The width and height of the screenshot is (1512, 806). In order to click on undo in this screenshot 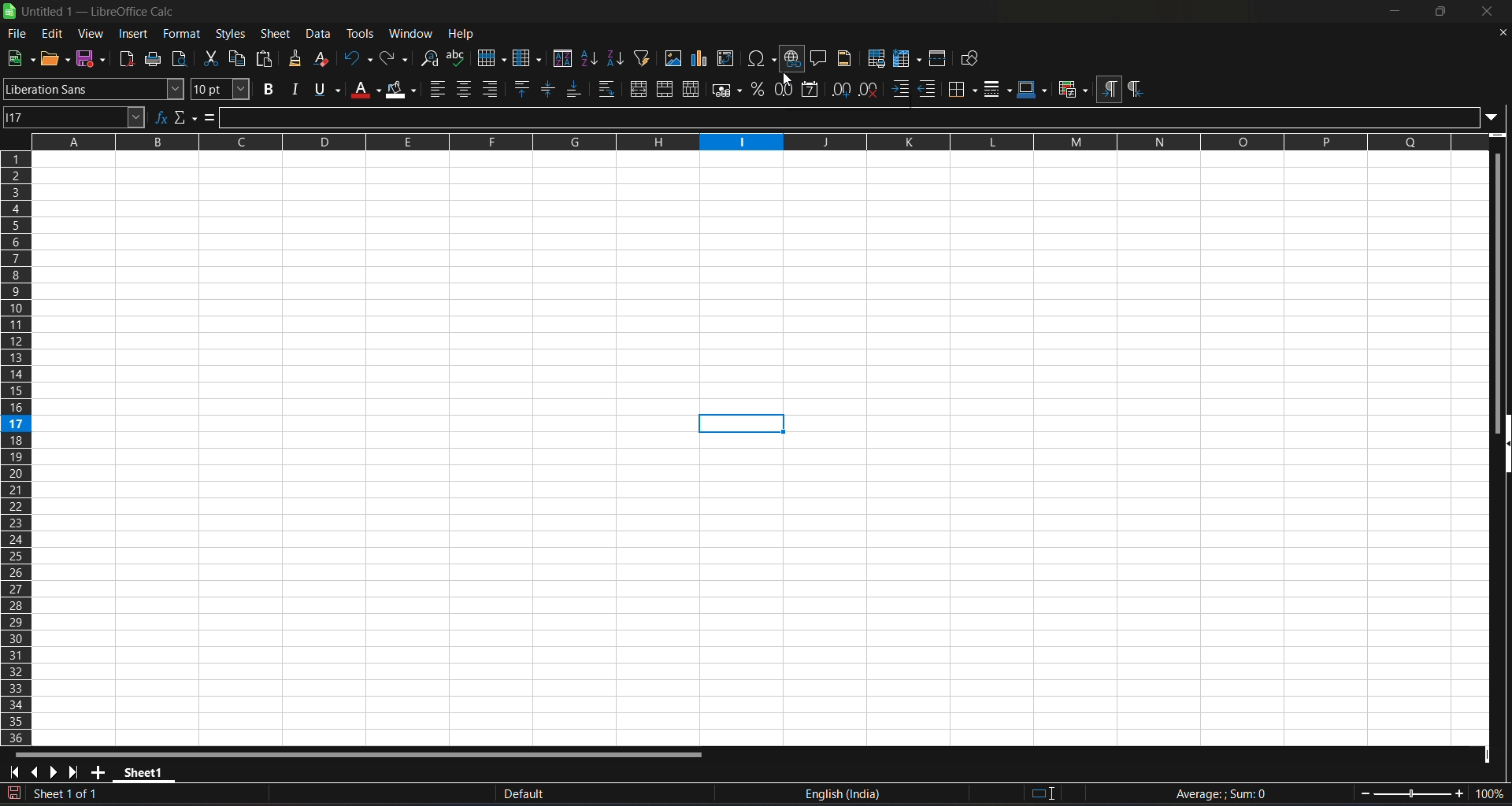, I will do `click(358, 58)`.